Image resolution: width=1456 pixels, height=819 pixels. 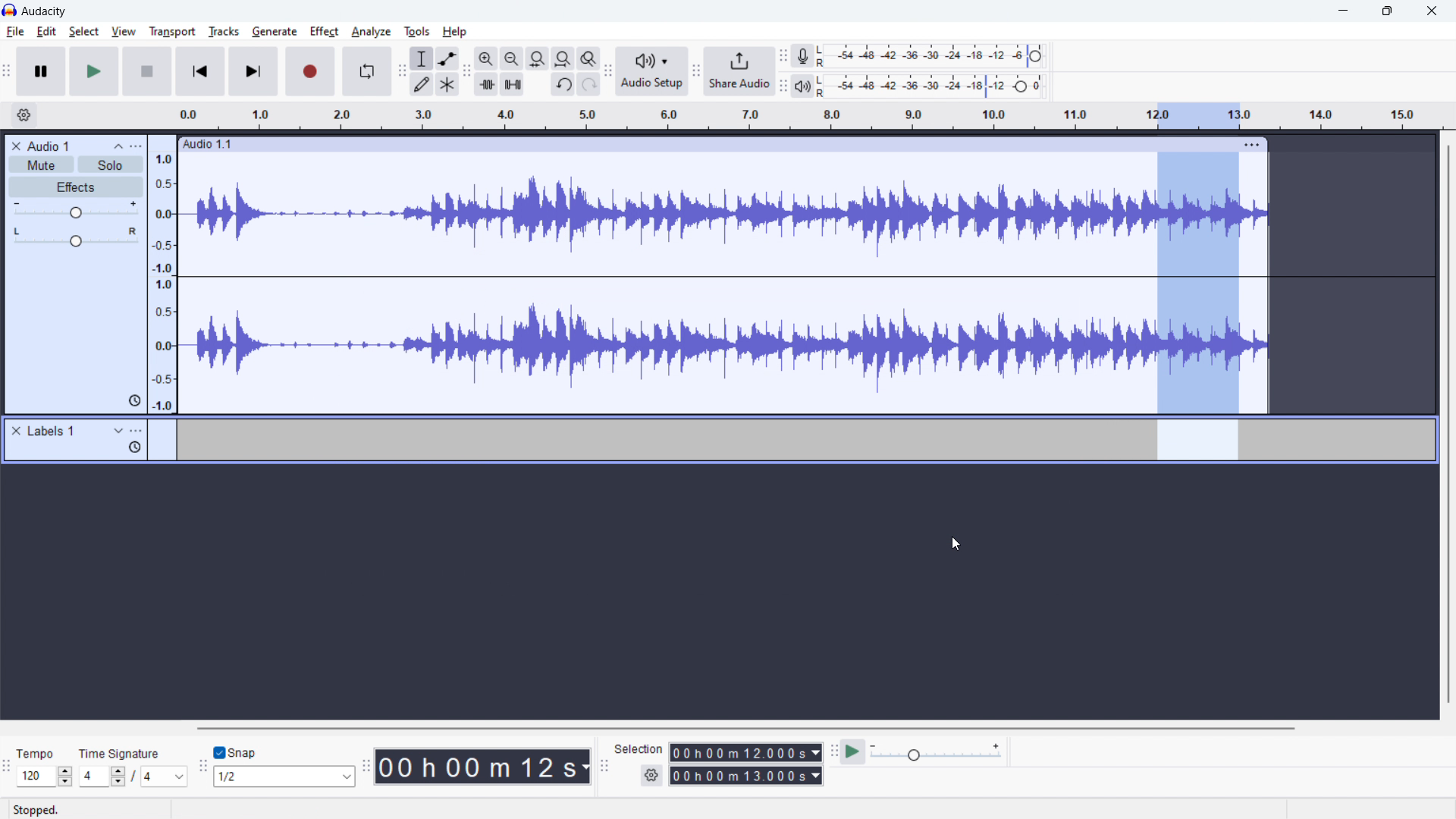 What do you see at coordinates (483, 765) in the screenshot?
I see `timestamp` at bounding box center [483, 765].